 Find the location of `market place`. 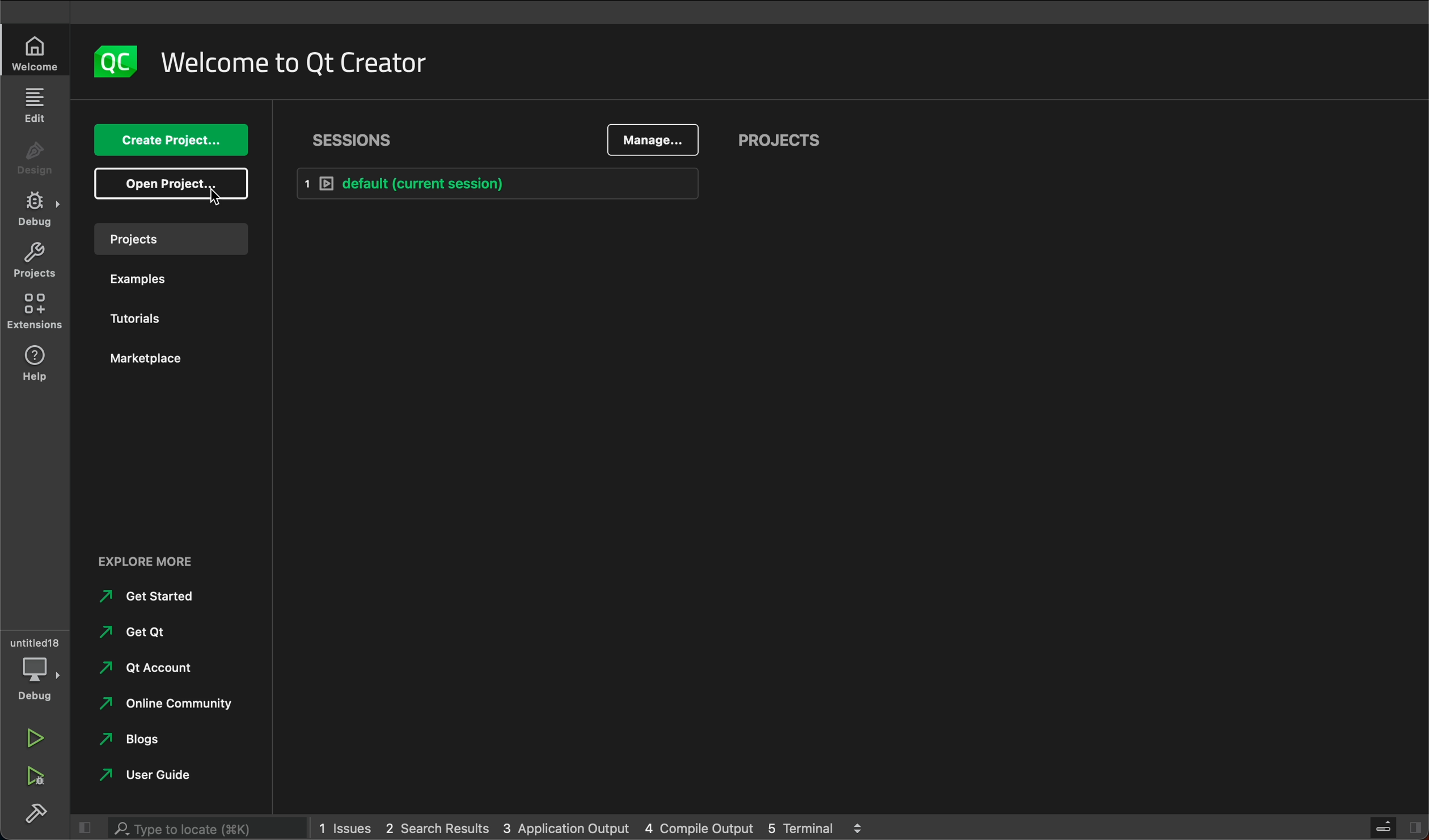

market place is located at coordinates (147, 357).